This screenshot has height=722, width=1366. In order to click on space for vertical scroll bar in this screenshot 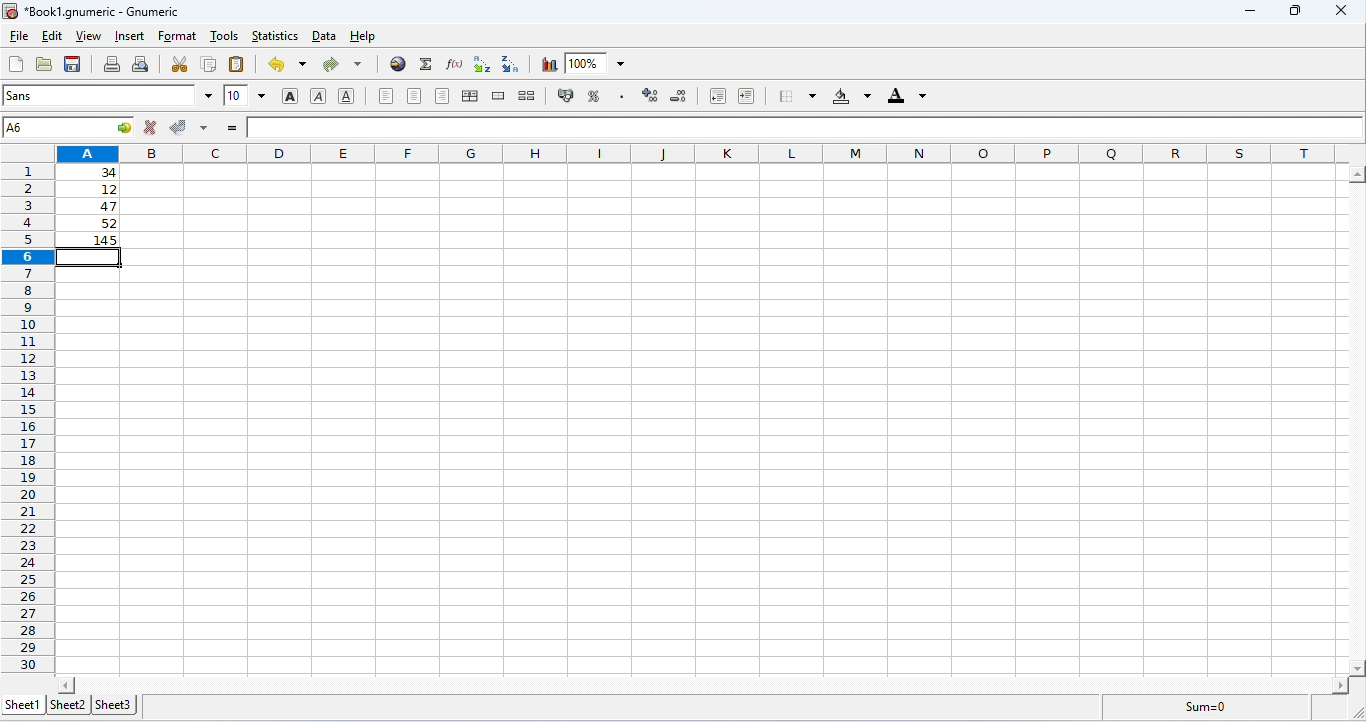, I will do `click(1357, 423)`.